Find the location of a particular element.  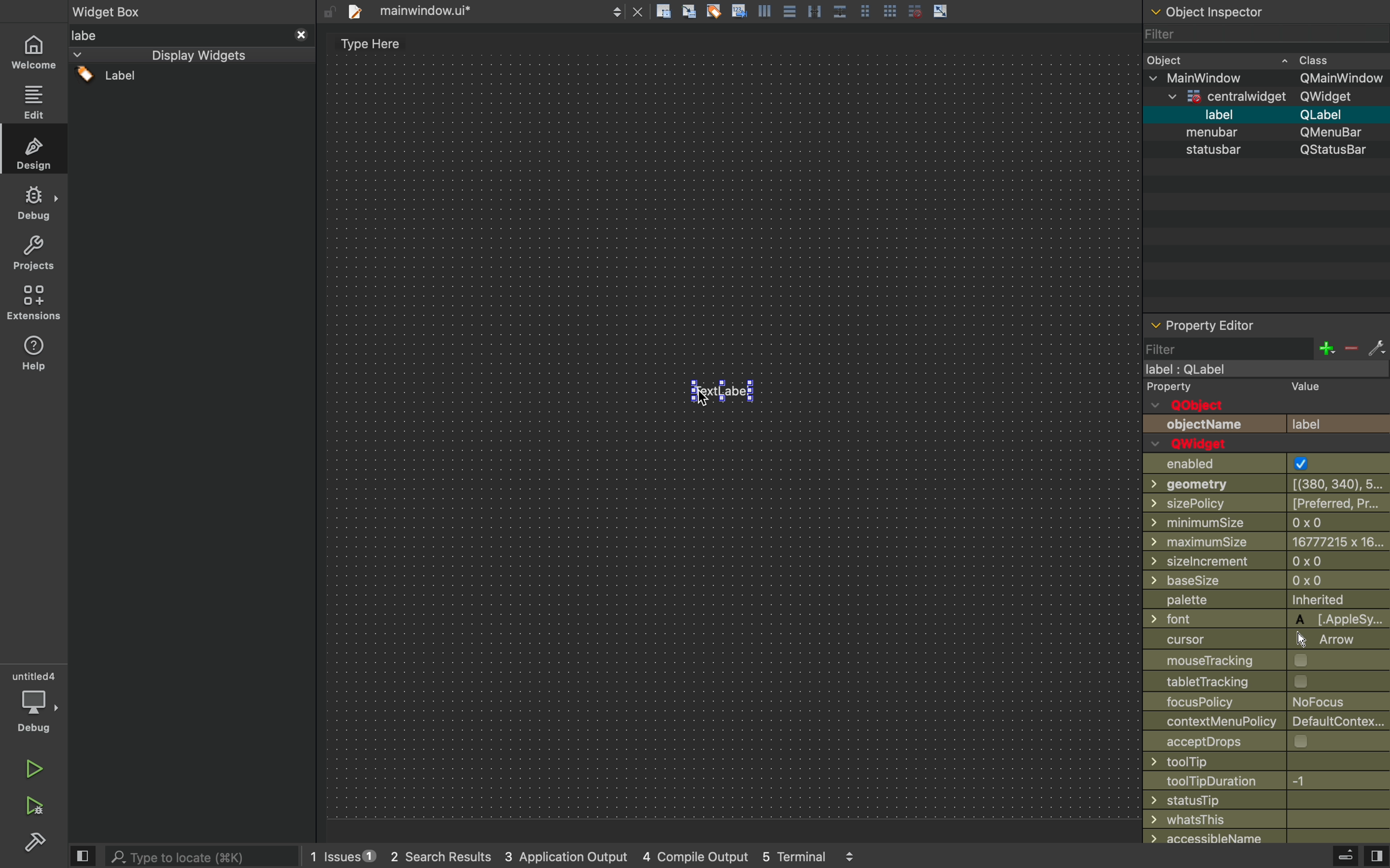

 is located at coordinates (191, 12).